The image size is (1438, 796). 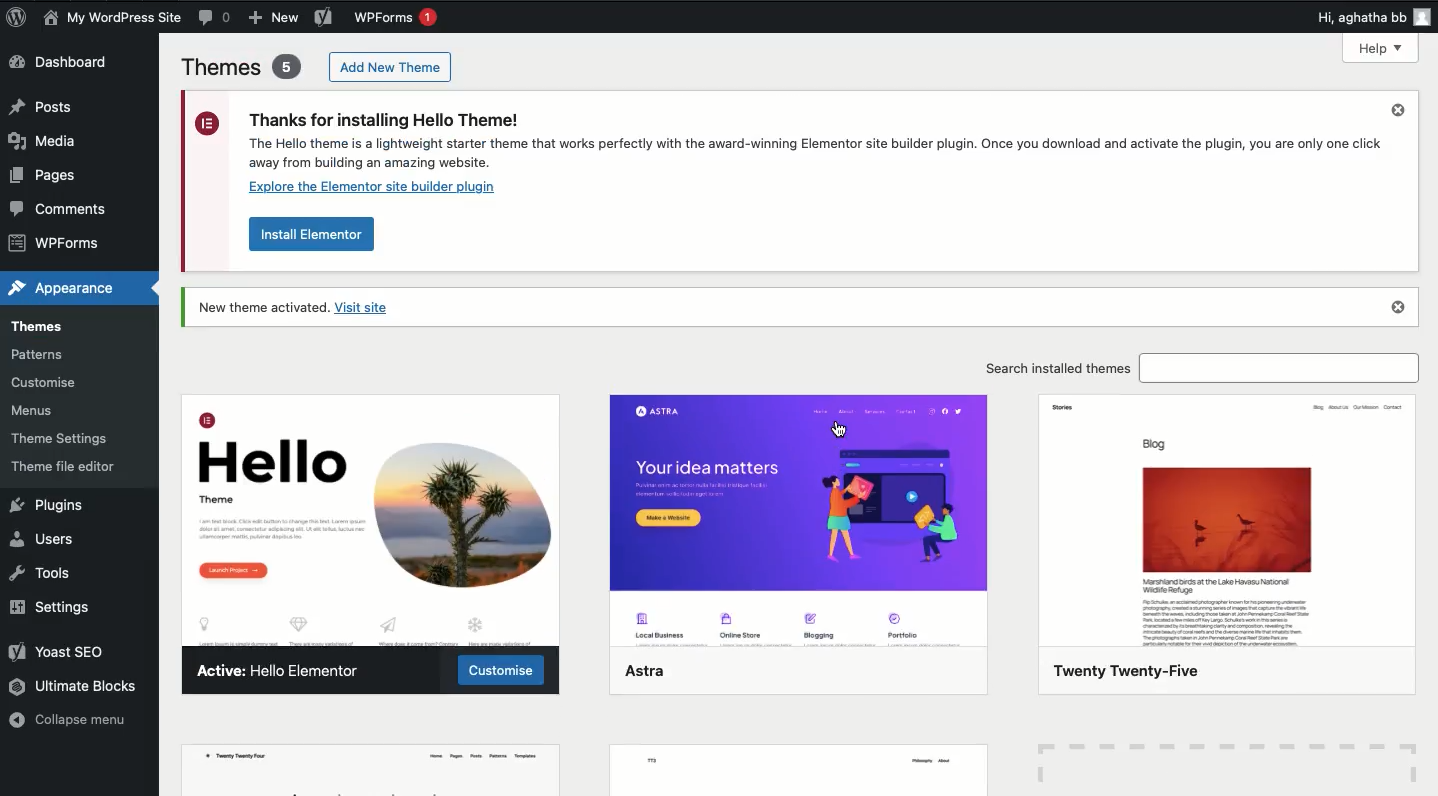 I want to click on theme settings, so click(x=59, y=439).